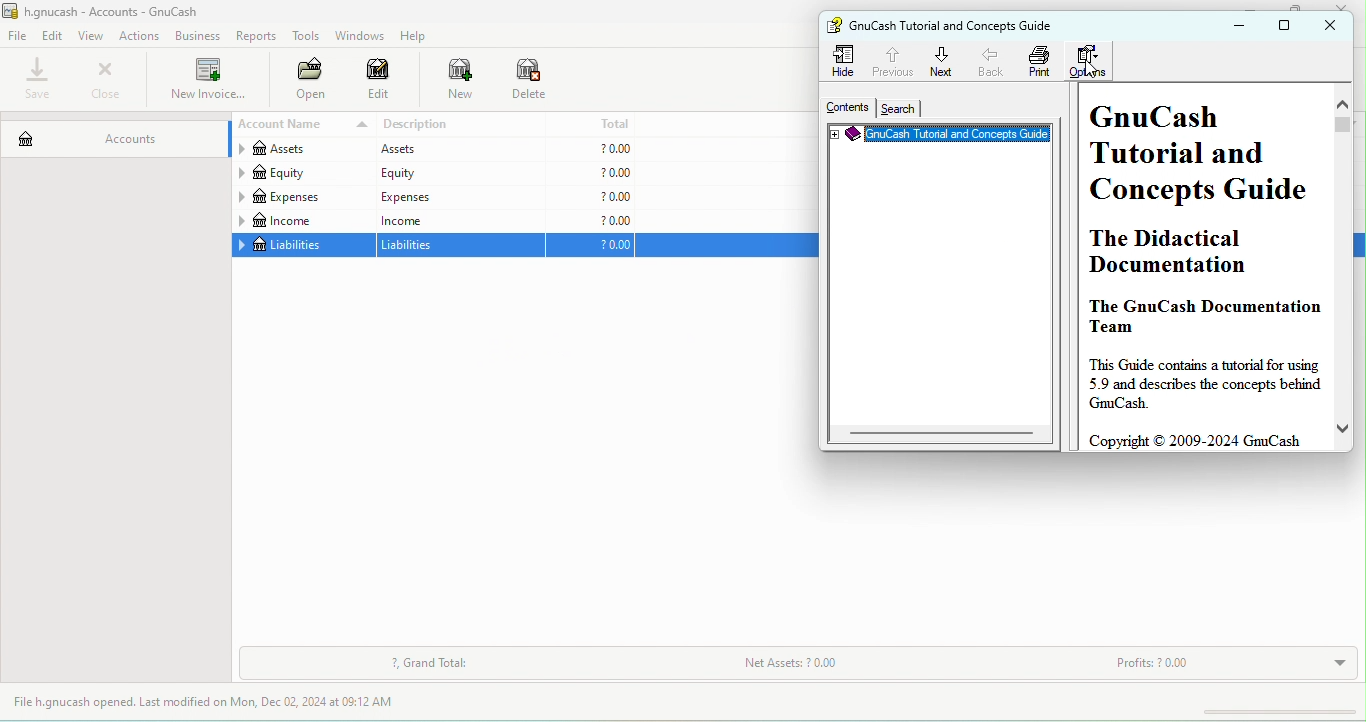 This screenshot has height=722, width=1366. What do you see at coordinates (379, 82) in the screenshot?
I see `edit` at bounding box center [379, 82].